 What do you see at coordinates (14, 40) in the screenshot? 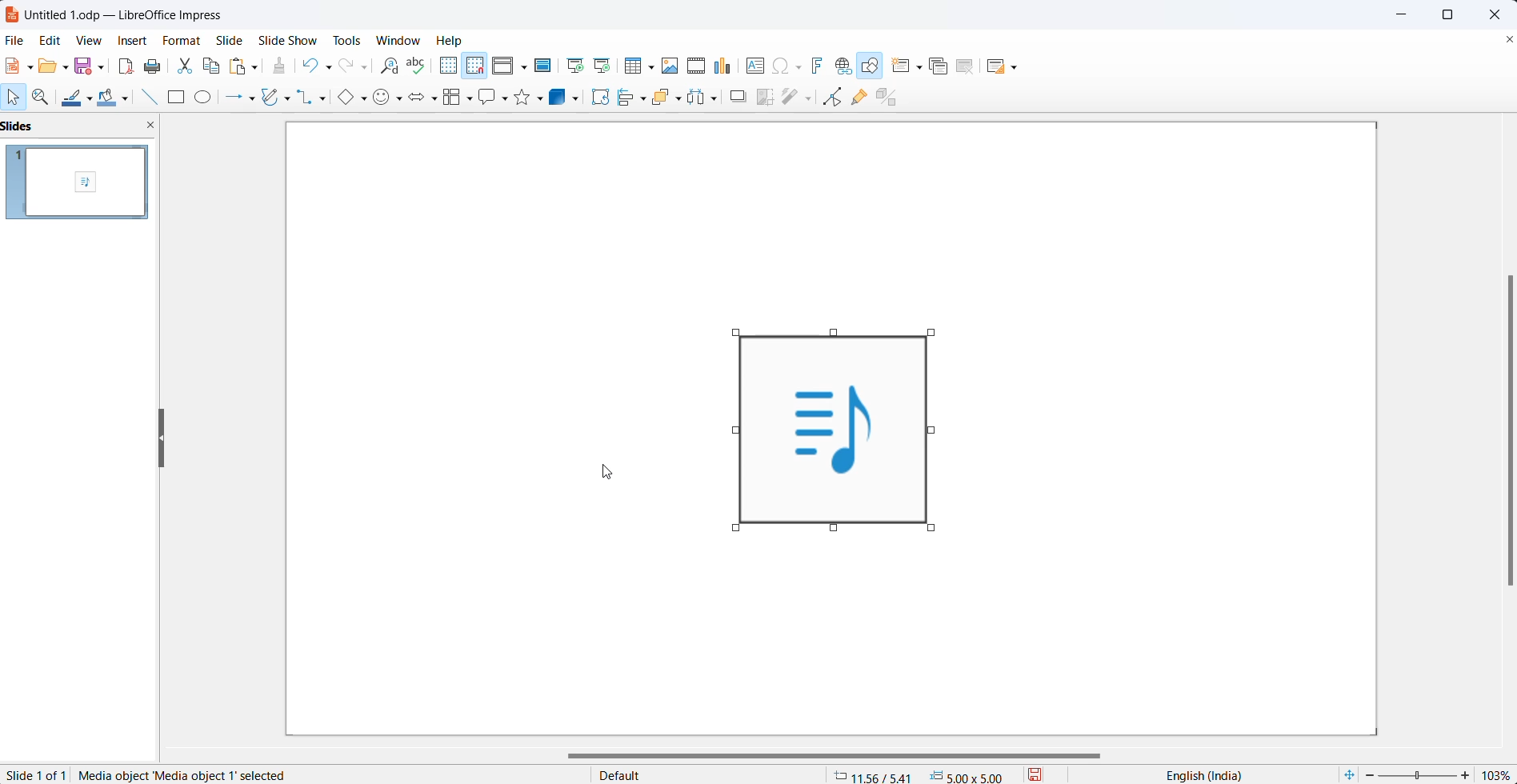
I see `file` at bounding box center [14, 40].